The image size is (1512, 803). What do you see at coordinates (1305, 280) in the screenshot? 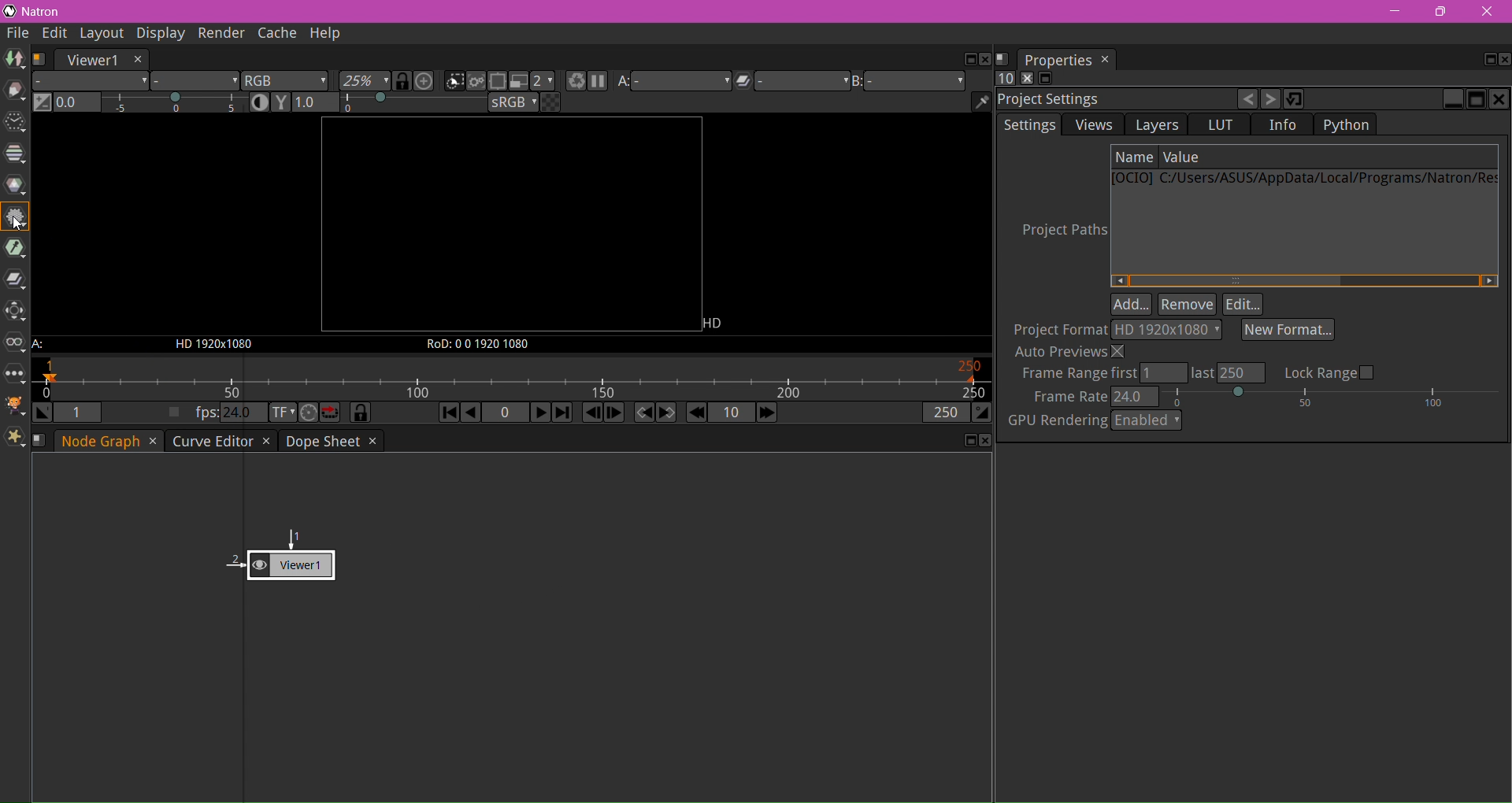
I see `Horizontal Scroll Bar` at bounding box center [1305, 280].